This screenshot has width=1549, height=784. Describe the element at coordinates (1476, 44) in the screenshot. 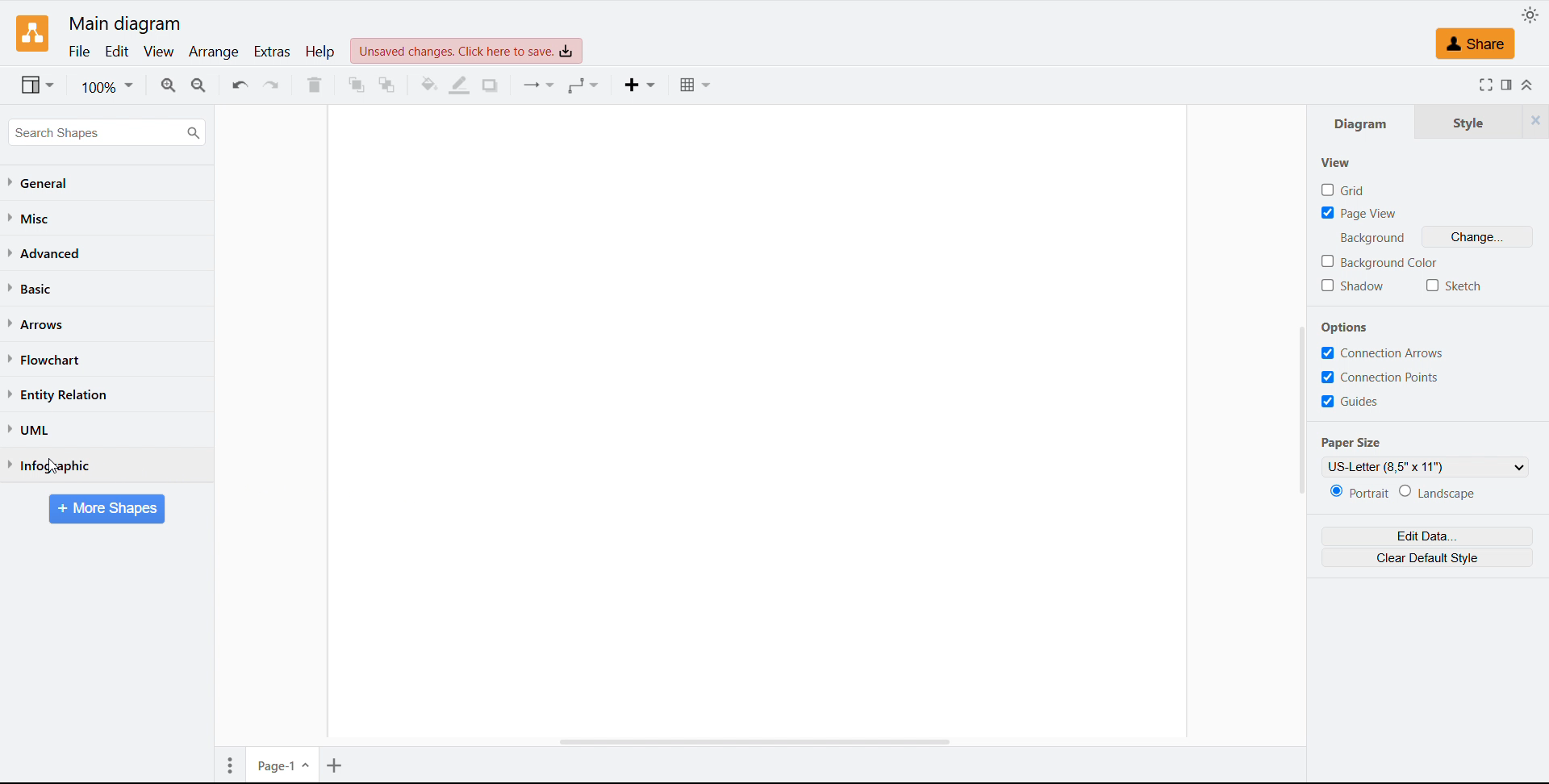

I see `Share ` at that location.